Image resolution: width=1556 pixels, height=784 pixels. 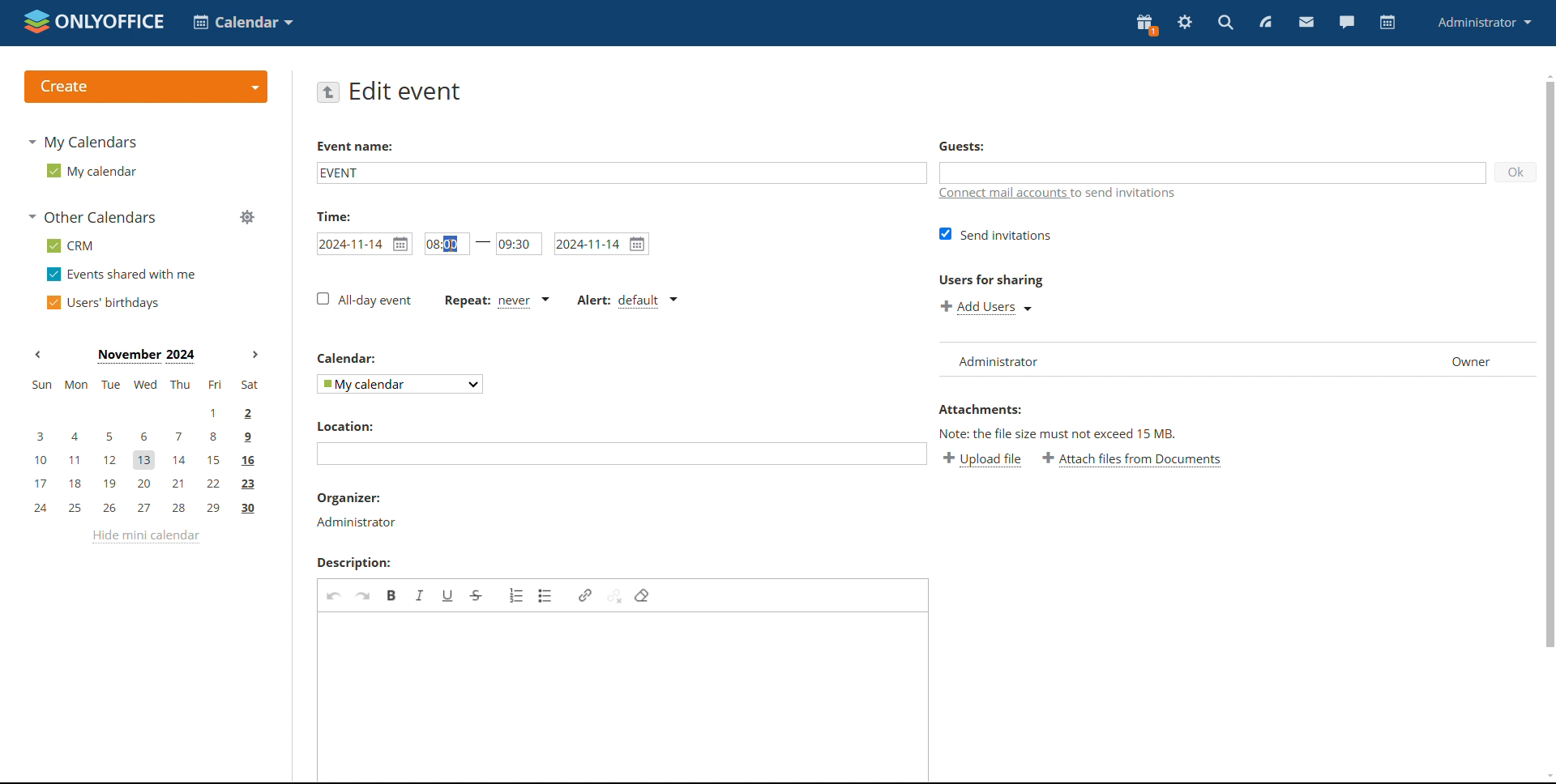 I want to click on add description, so click(x=622, y=696).